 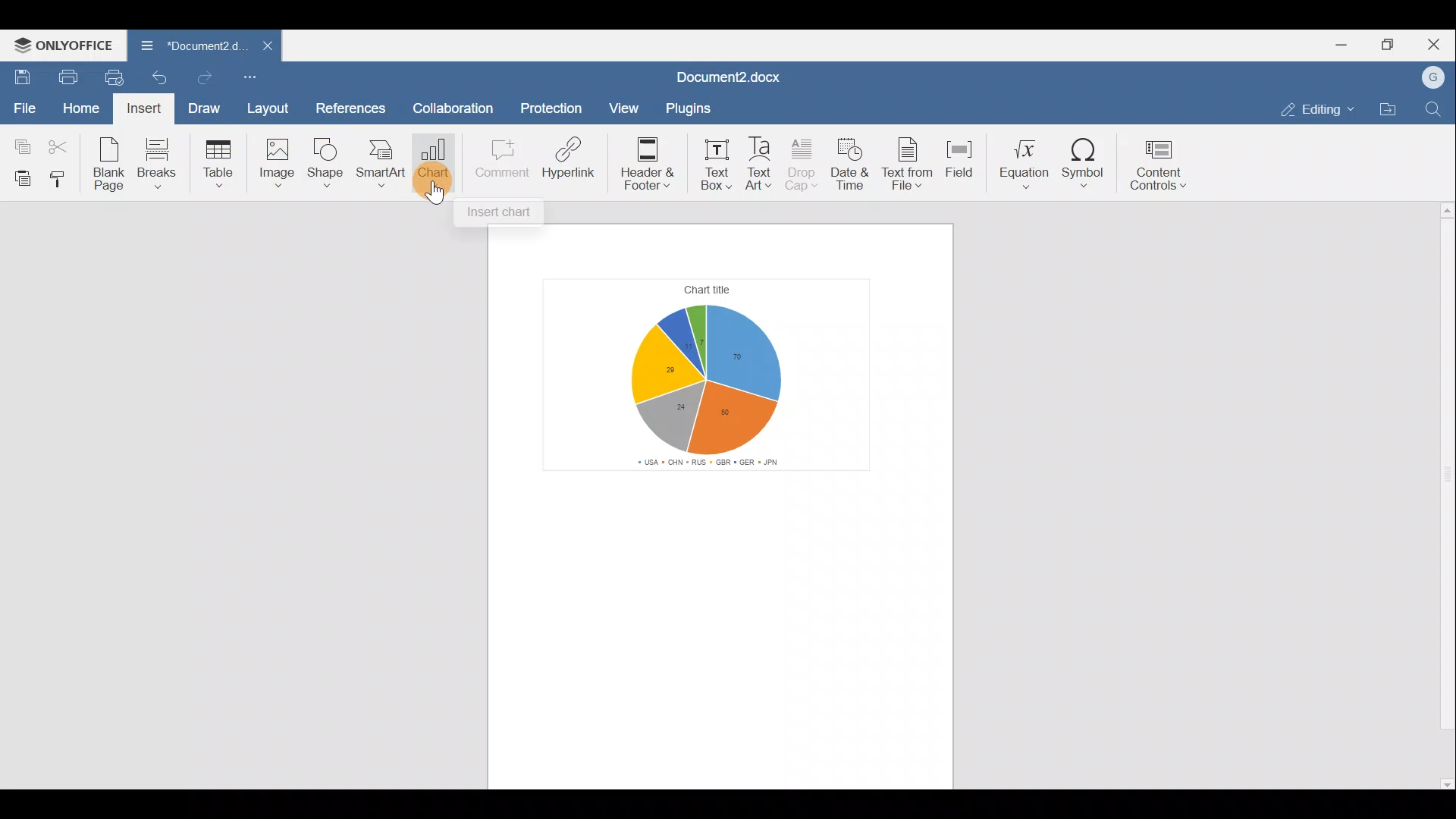 I want to click on Save, so click(x=19, y=75).